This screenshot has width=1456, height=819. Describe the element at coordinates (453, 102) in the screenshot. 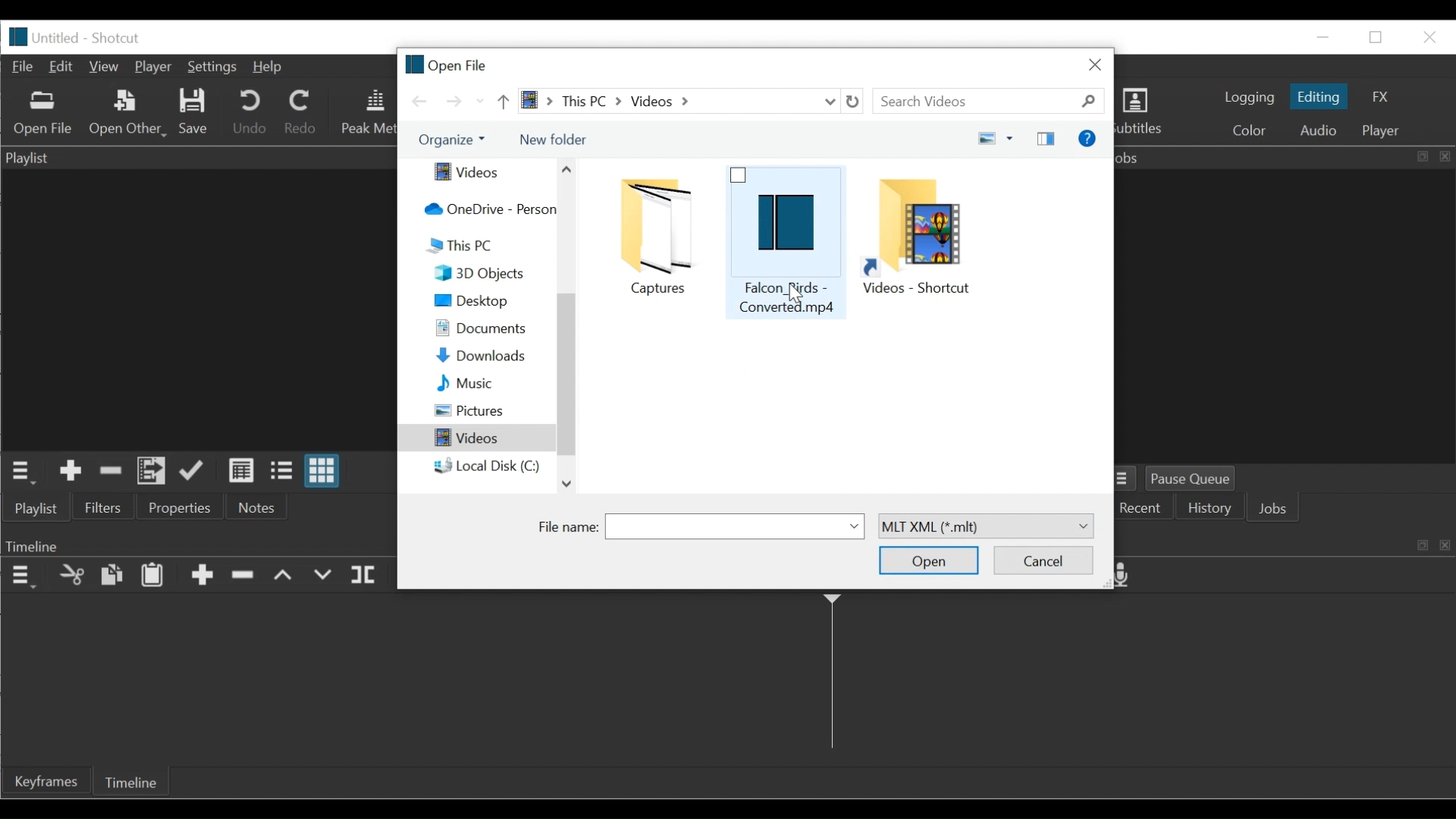

I see `Go forward` at that location.